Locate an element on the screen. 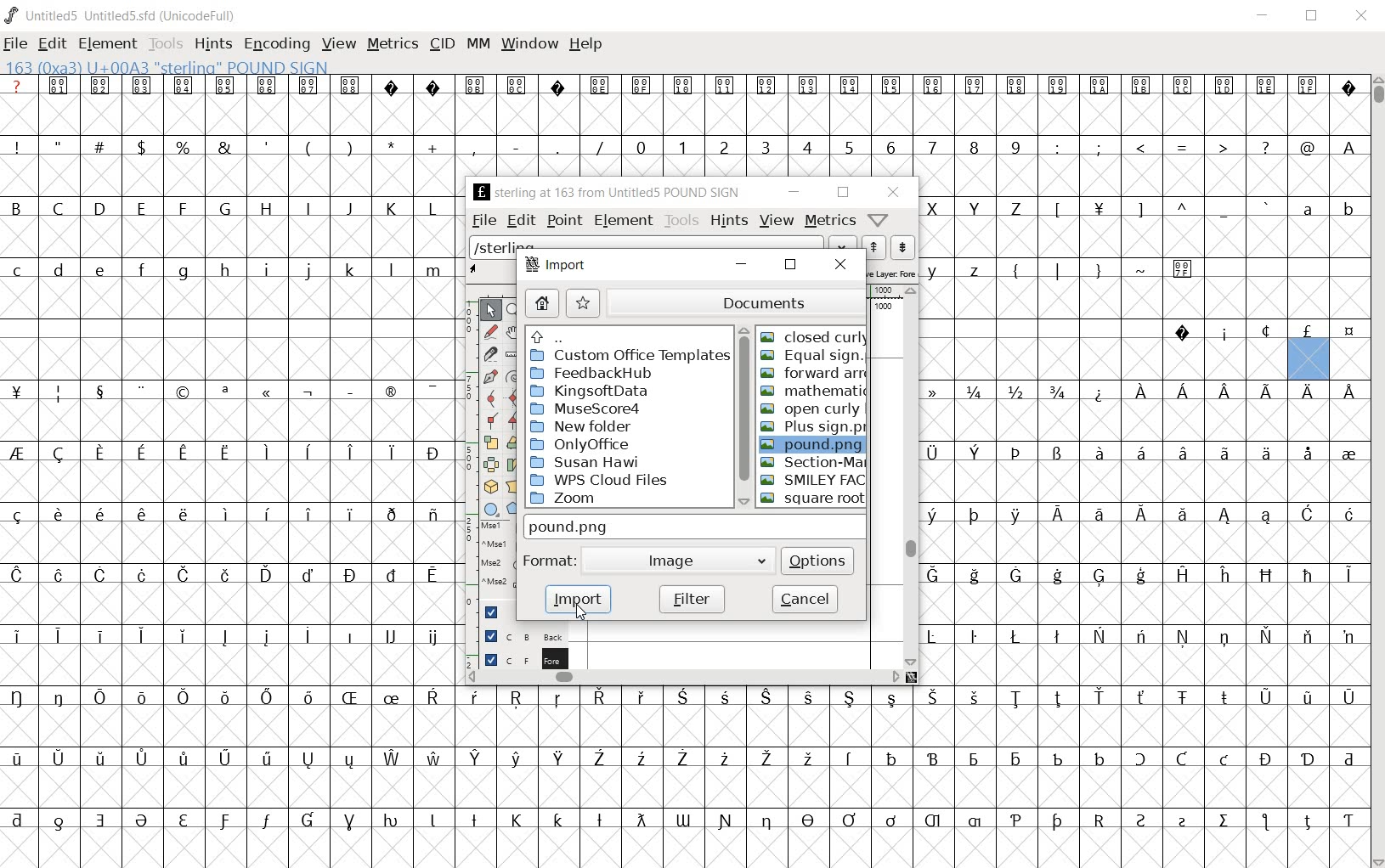  Symbol is located at coordinates (391, 393).